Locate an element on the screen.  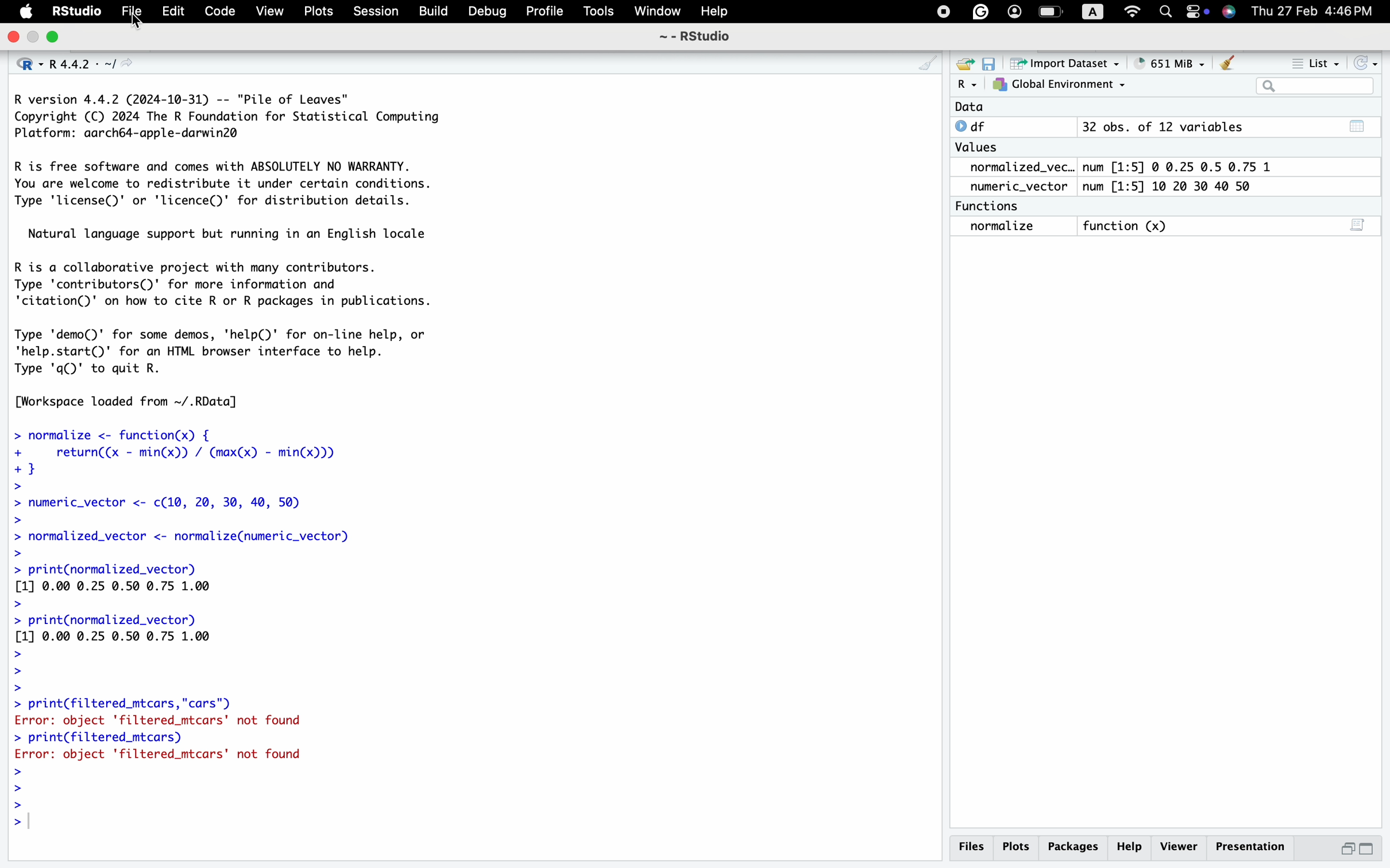
Functions is located at coordinates (999, 206).